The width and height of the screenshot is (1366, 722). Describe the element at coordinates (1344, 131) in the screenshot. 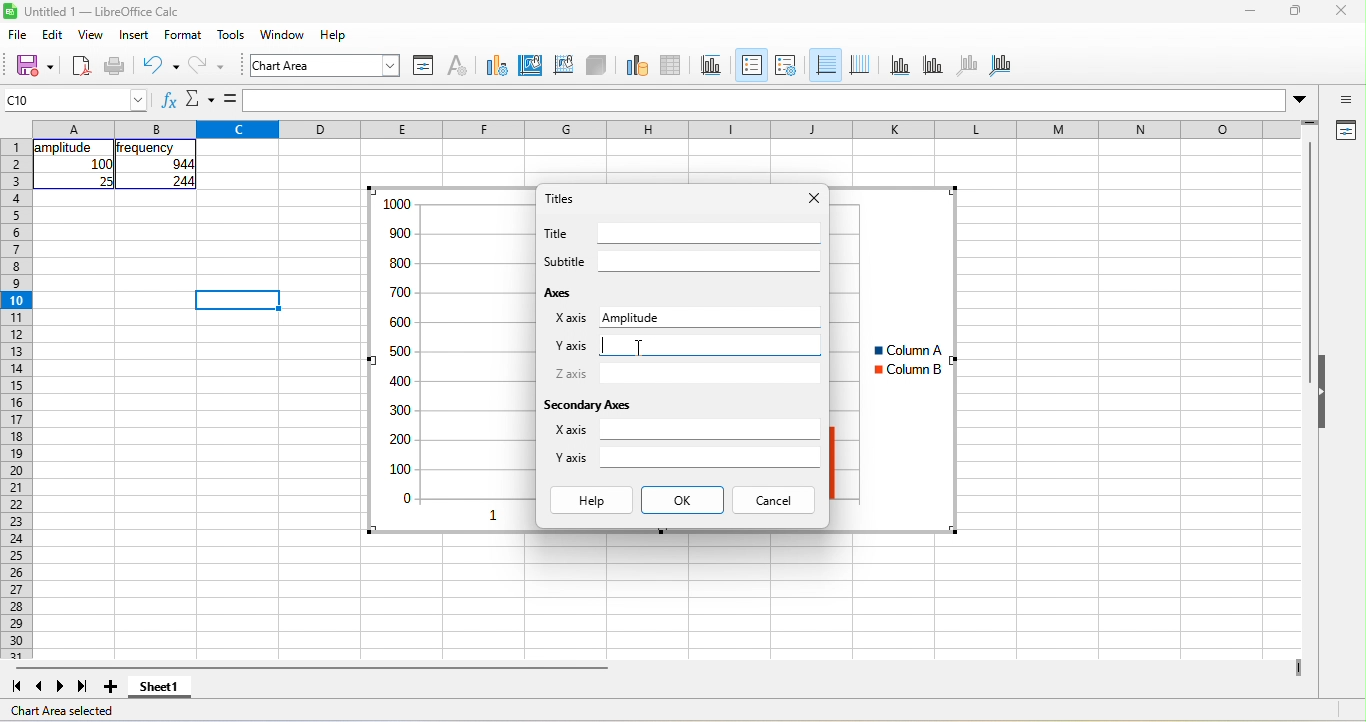

I see `properties` at that location.